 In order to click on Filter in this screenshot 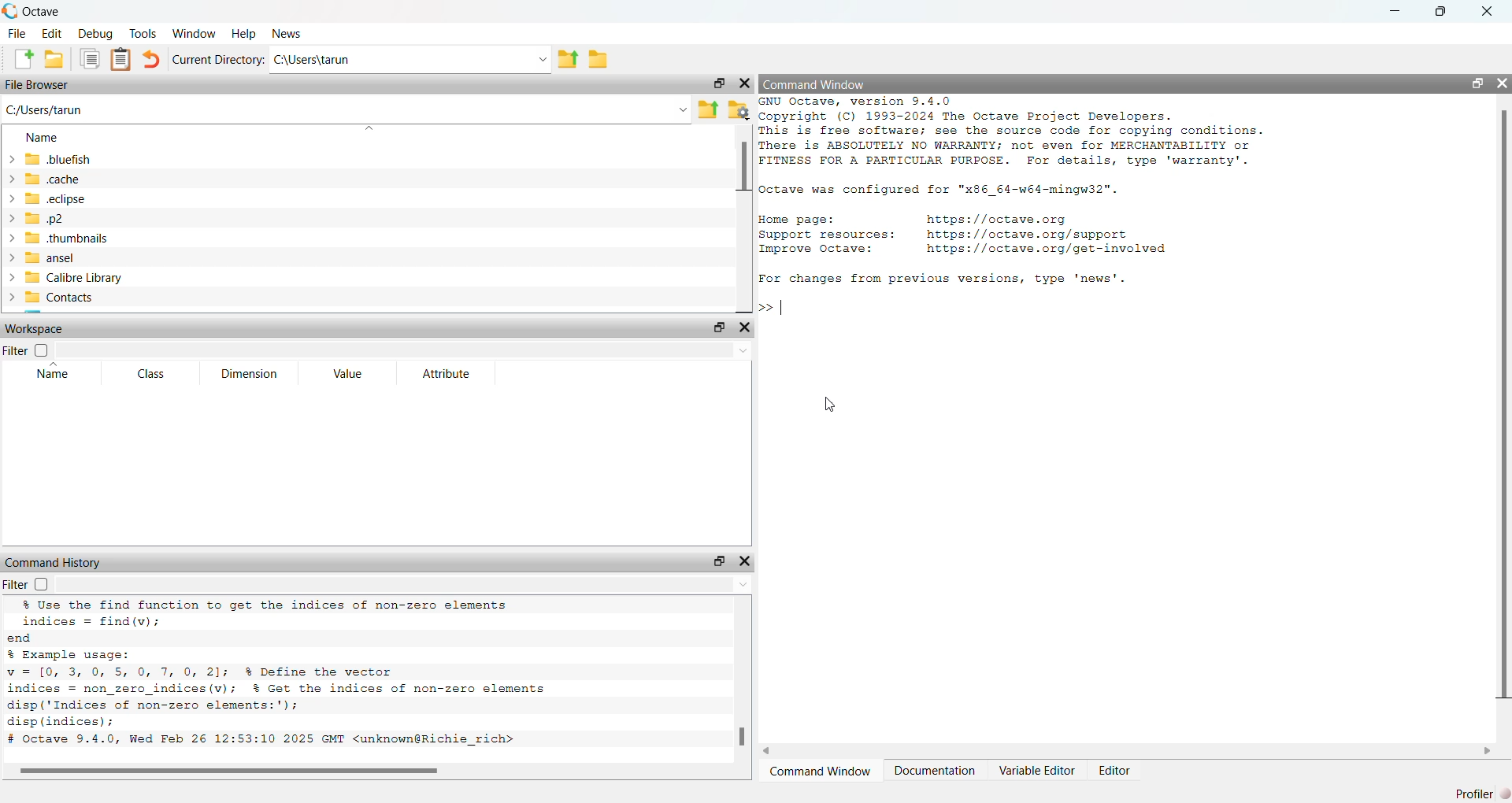, I will do `click(16, 352)`.